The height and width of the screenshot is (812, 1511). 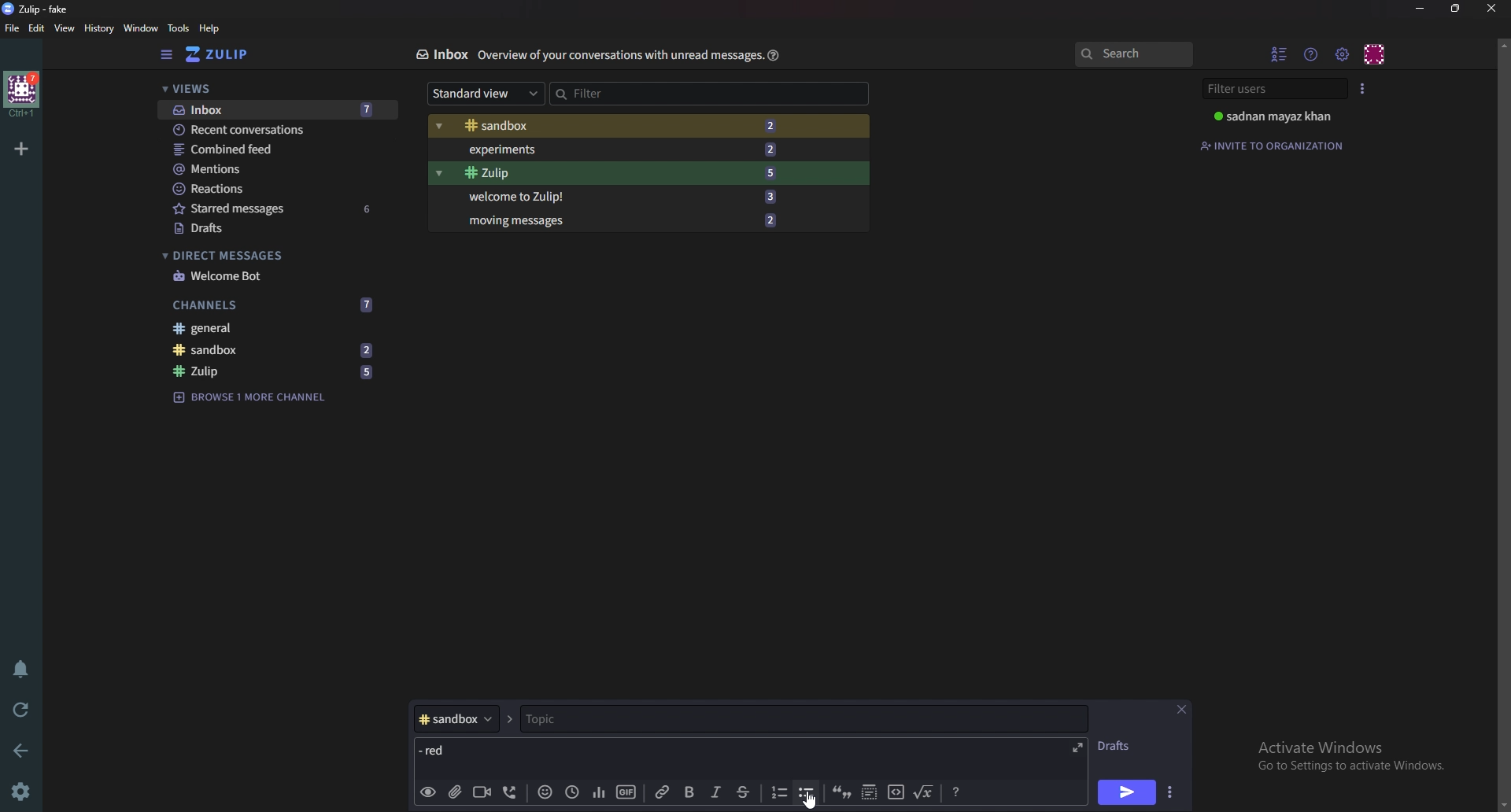 What do you see at coordinates (1490, 8) in the screenshot?
I see `close` at bounding box center [1490, 8].